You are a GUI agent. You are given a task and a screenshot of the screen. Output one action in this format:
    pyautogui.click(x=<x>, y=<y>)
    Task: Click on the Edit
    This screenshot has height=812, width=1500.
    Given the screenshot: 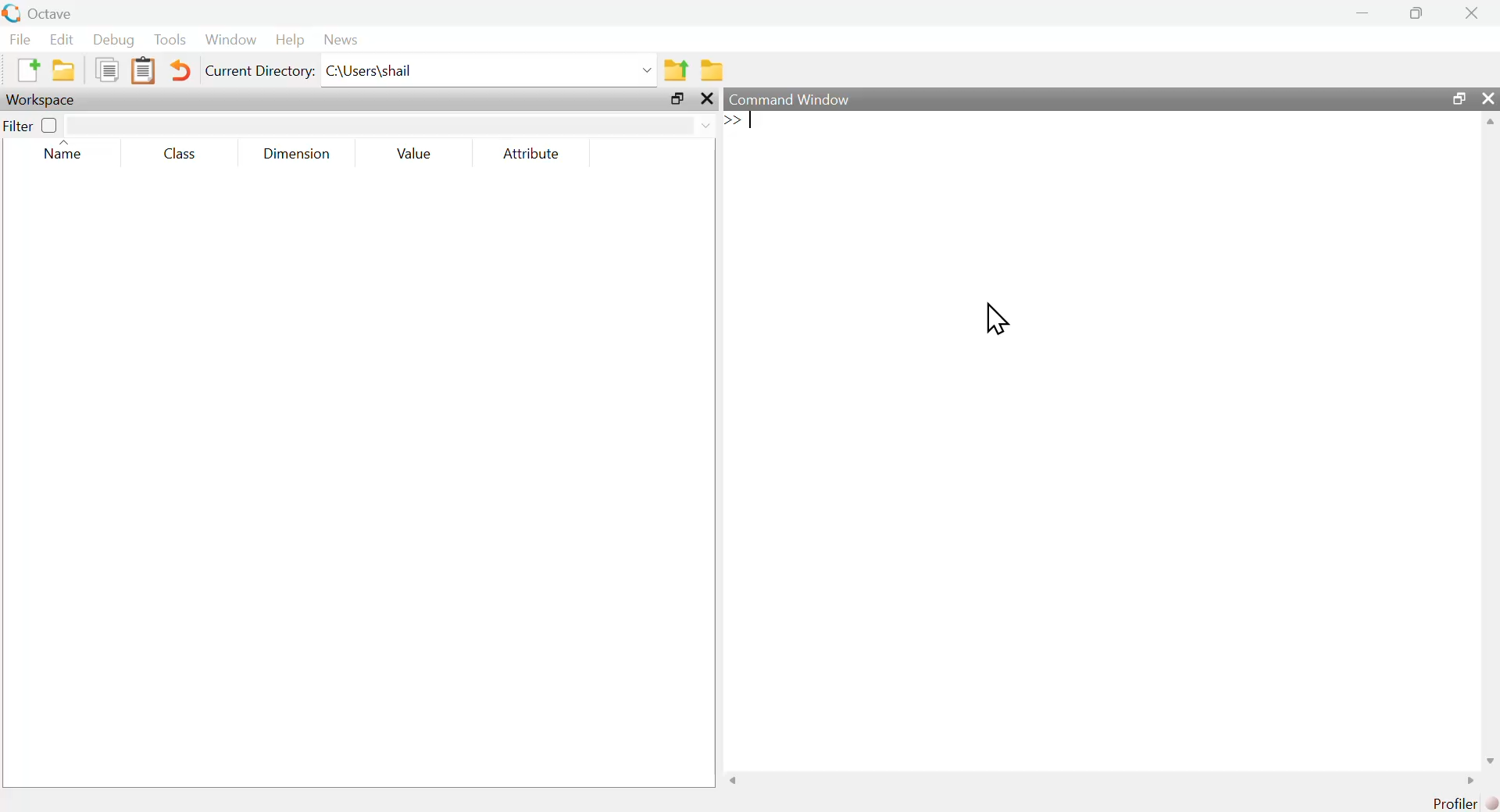 What is the action you would take?
    pyautogui.click(x=61, y=40)
    